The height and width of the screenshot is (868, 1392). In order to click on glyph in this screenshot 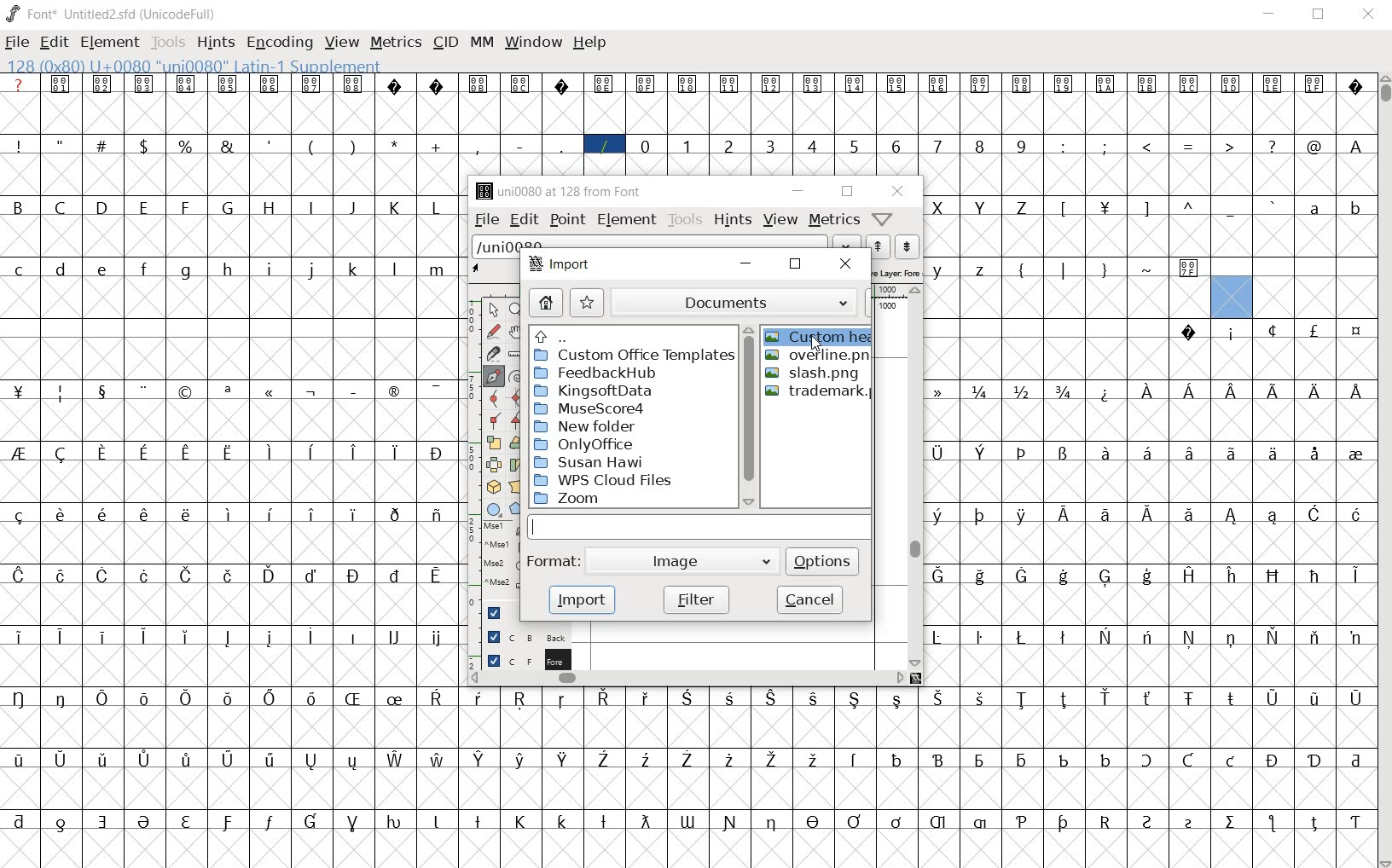, I will do `click(1357, 332)`.